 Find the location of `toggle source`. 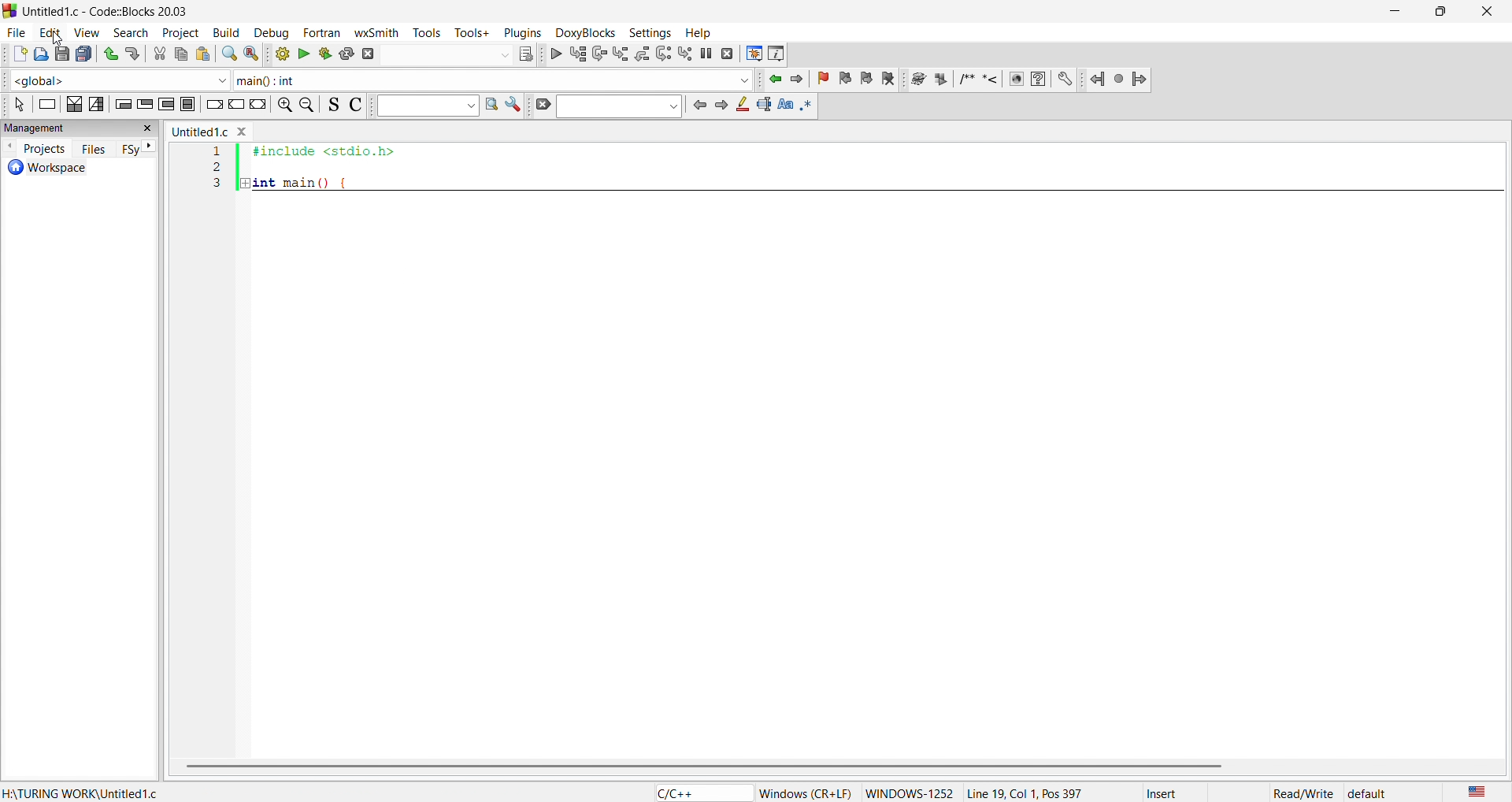

toggle source is located at coordinates (330, 106).